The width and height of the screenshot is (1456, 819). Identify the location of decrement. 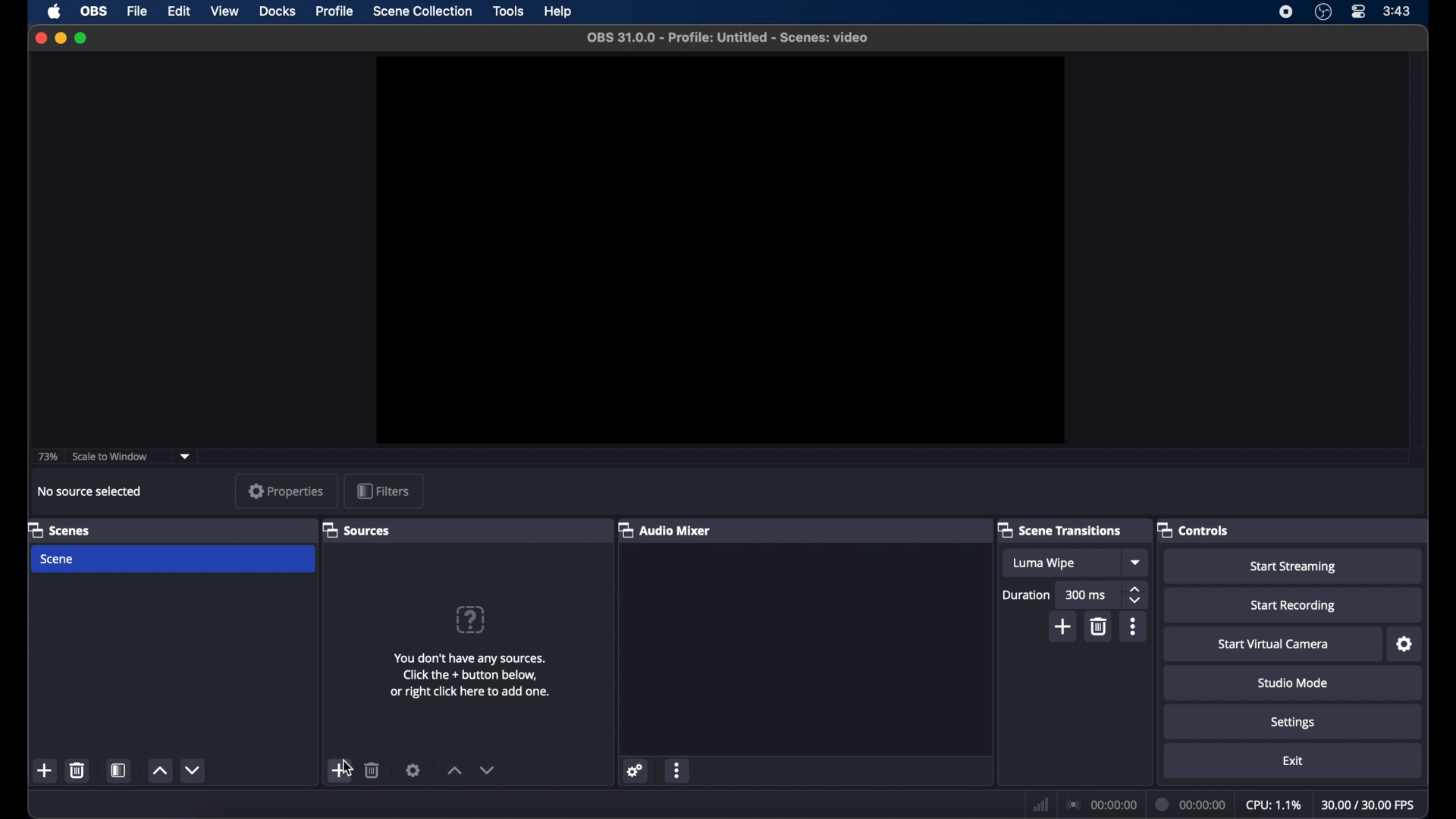
(194, 770).